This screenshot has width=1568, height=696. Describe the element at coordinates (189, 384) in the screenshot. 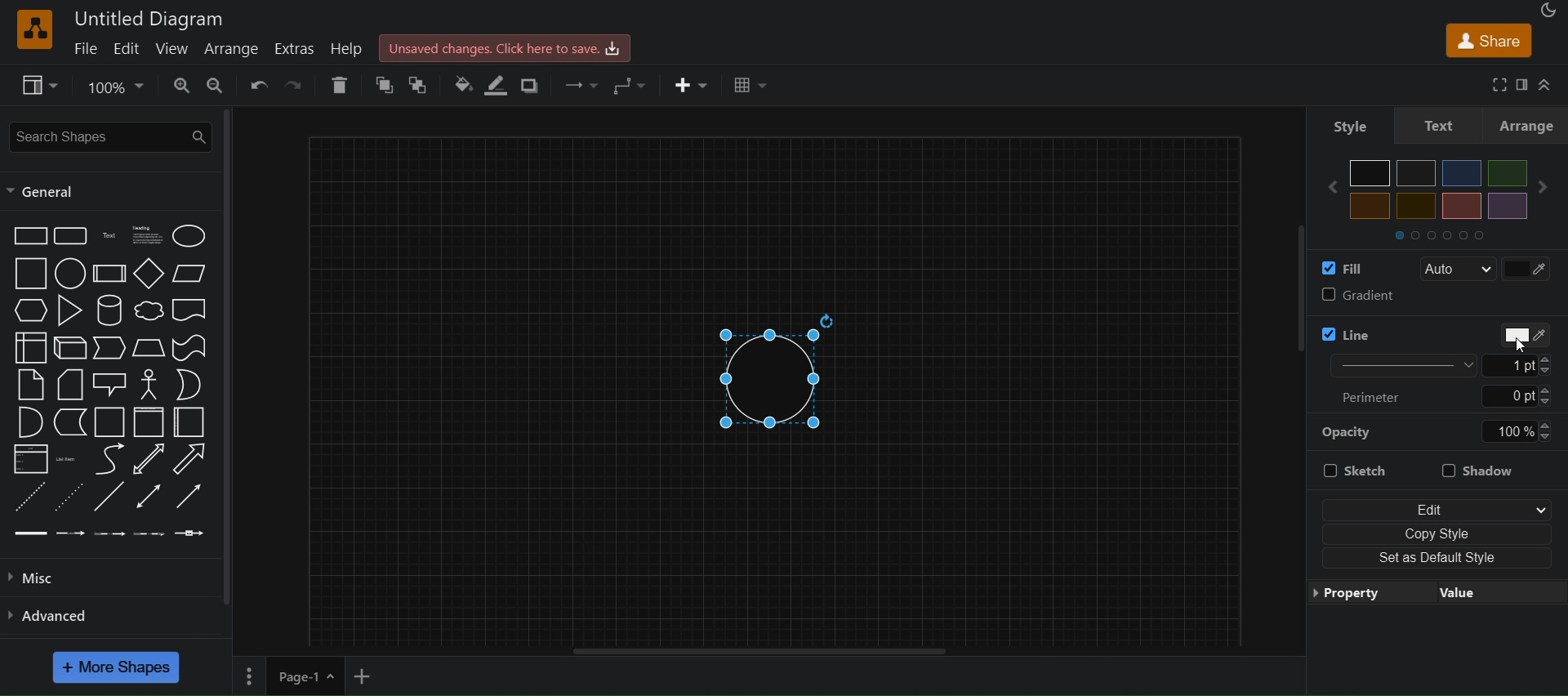

I see `or` at that location.